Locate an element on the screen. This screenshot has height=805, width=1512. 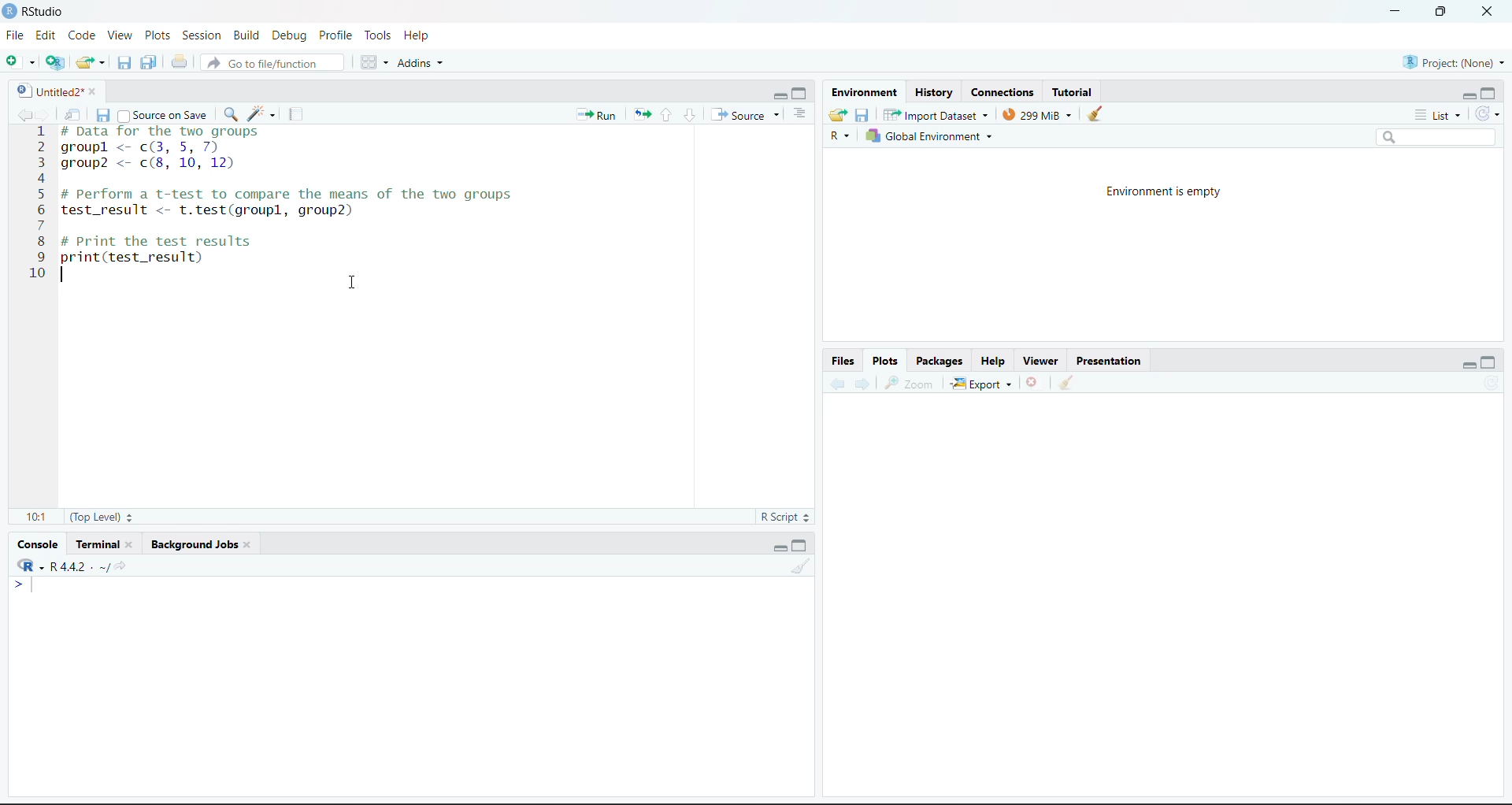
Tutorial is located at coordinates (1073, 90).